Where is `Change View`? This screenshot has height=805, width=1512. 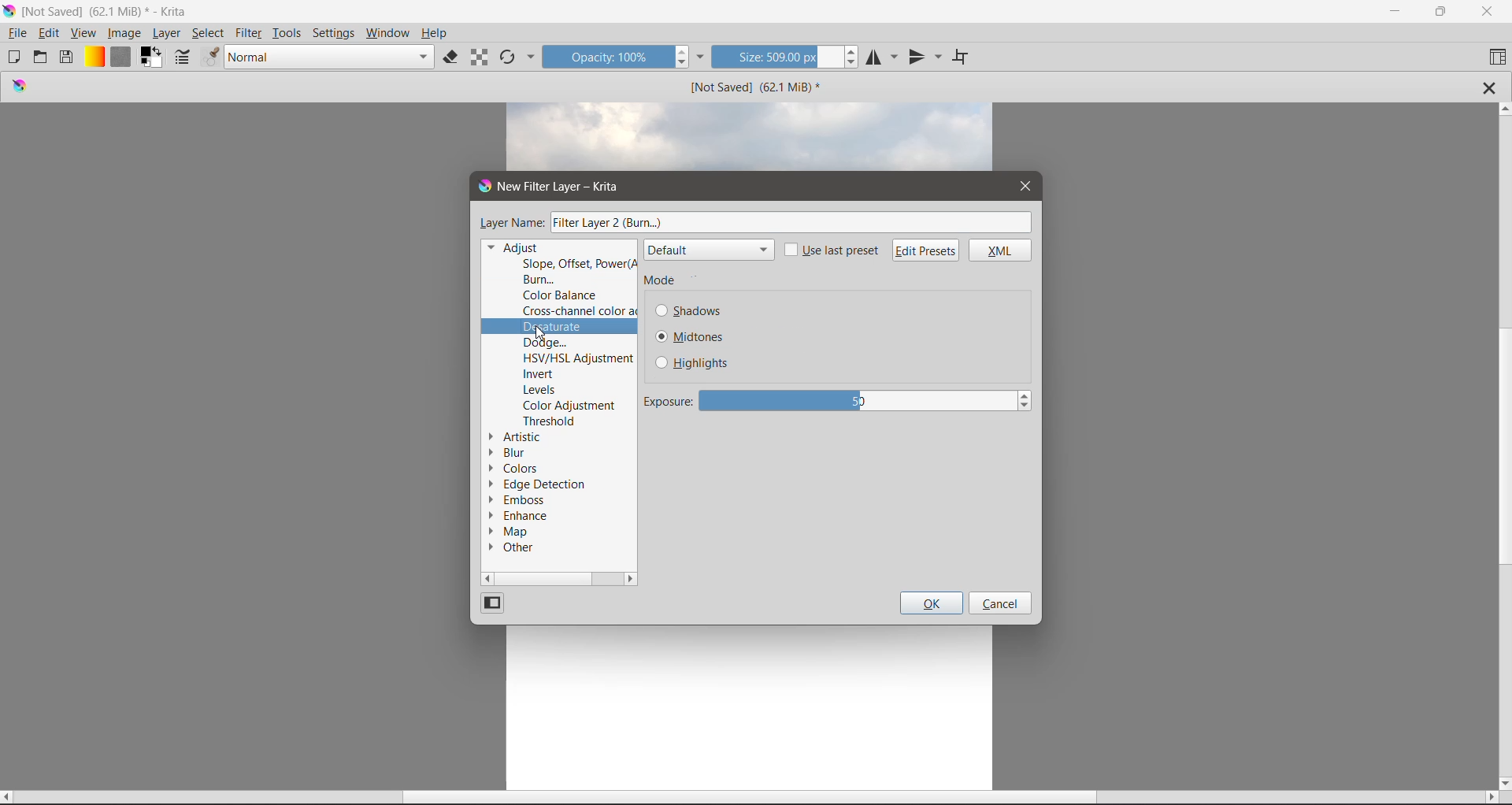 Change View is located at coordinates (494, 603).